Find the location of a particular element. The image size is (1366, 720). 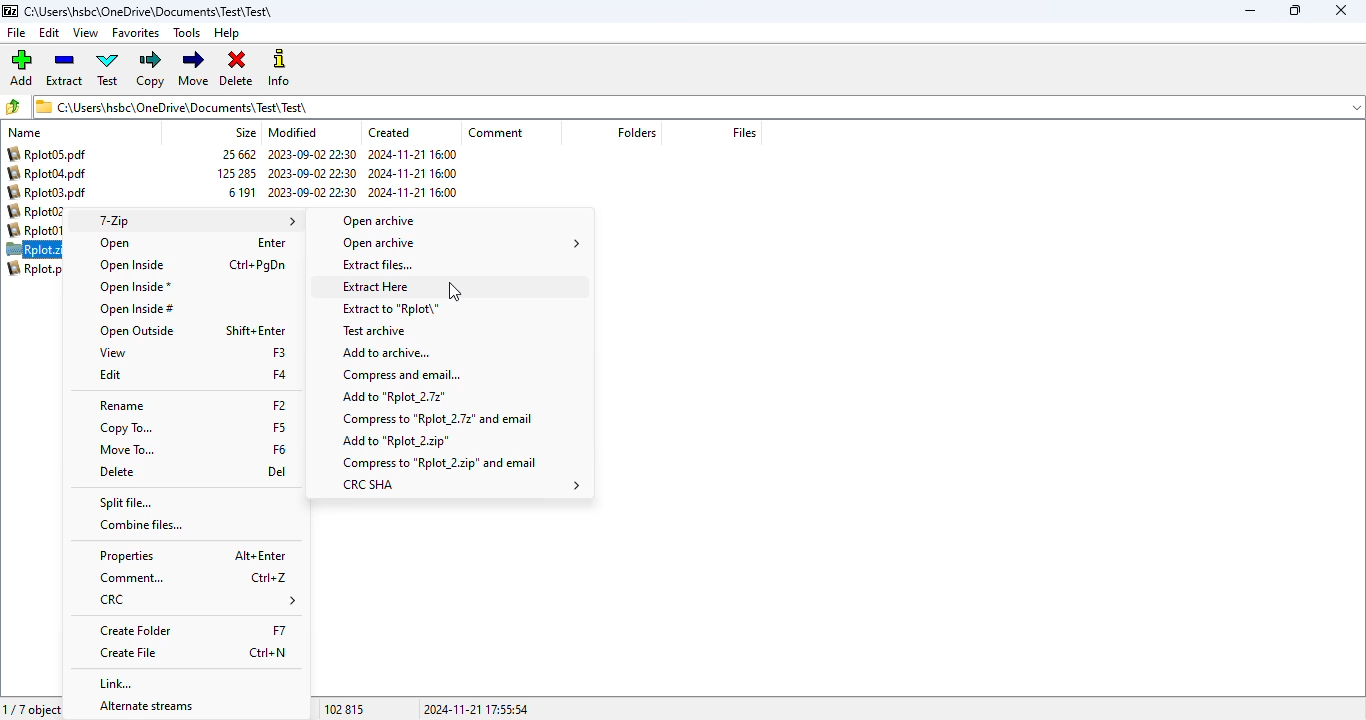

102 815 is located at coordinates (344, 709).